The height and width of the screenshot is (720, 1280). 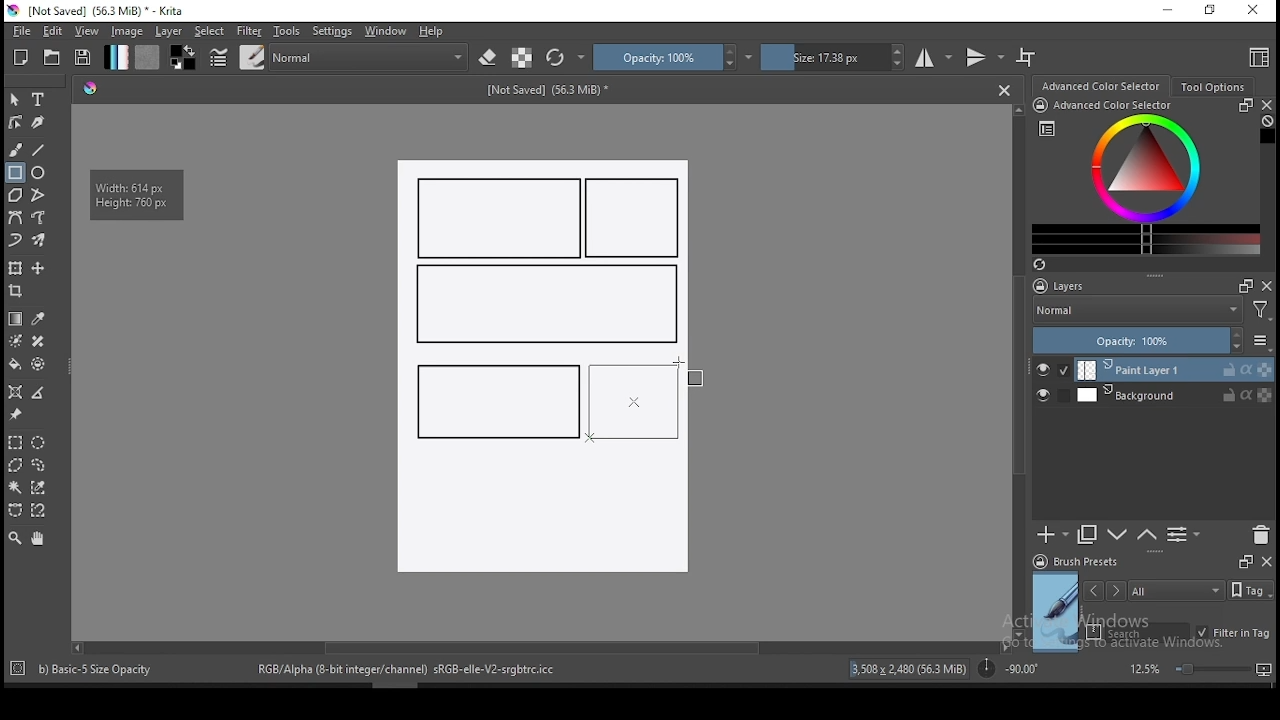 I want to click on new, so click(x=21, y=57).